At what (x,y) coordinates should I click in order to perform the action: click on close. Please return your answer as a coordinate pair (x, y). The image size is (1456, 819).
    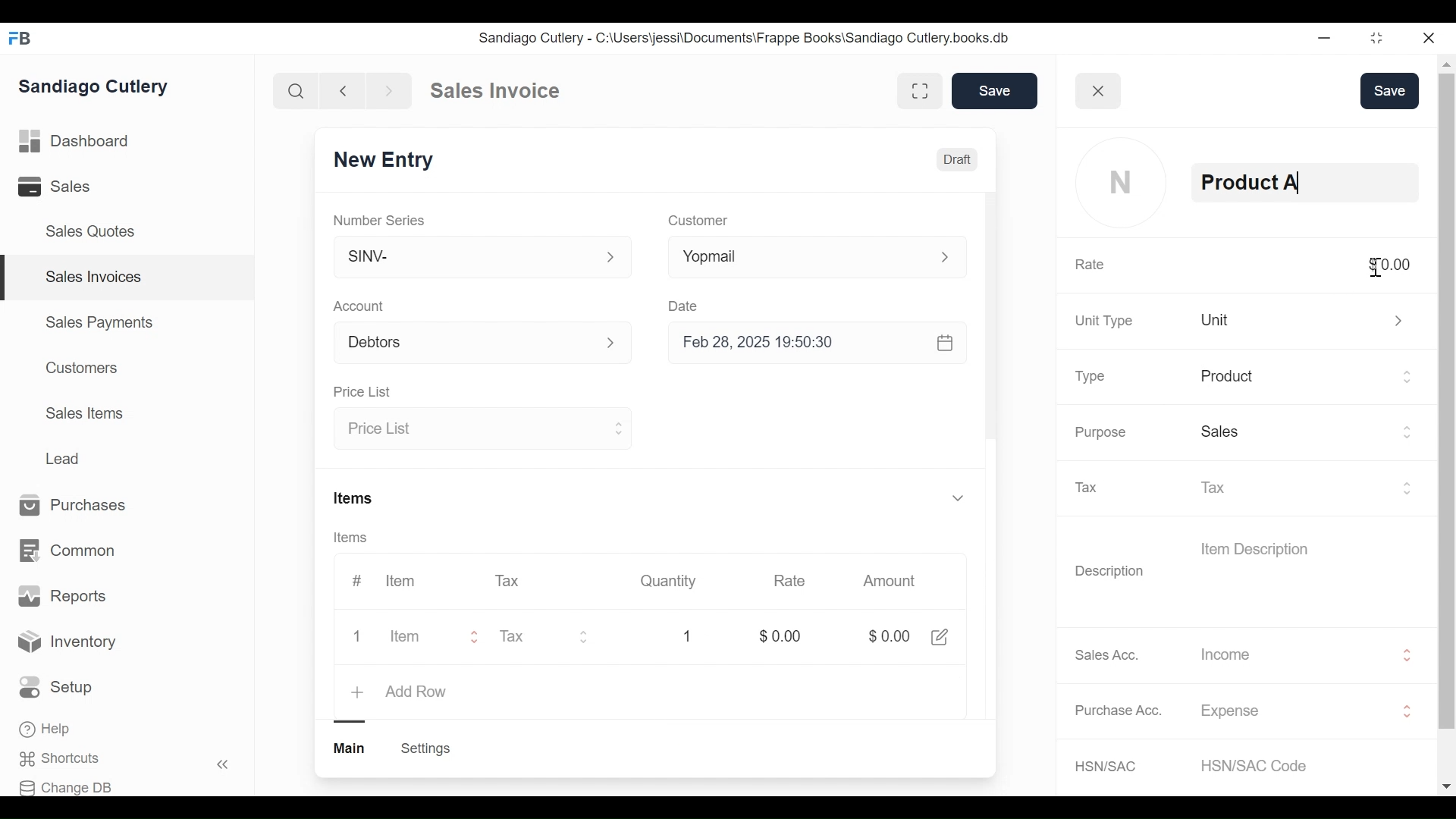
    Looking at the image, I should click on (1430, 39).